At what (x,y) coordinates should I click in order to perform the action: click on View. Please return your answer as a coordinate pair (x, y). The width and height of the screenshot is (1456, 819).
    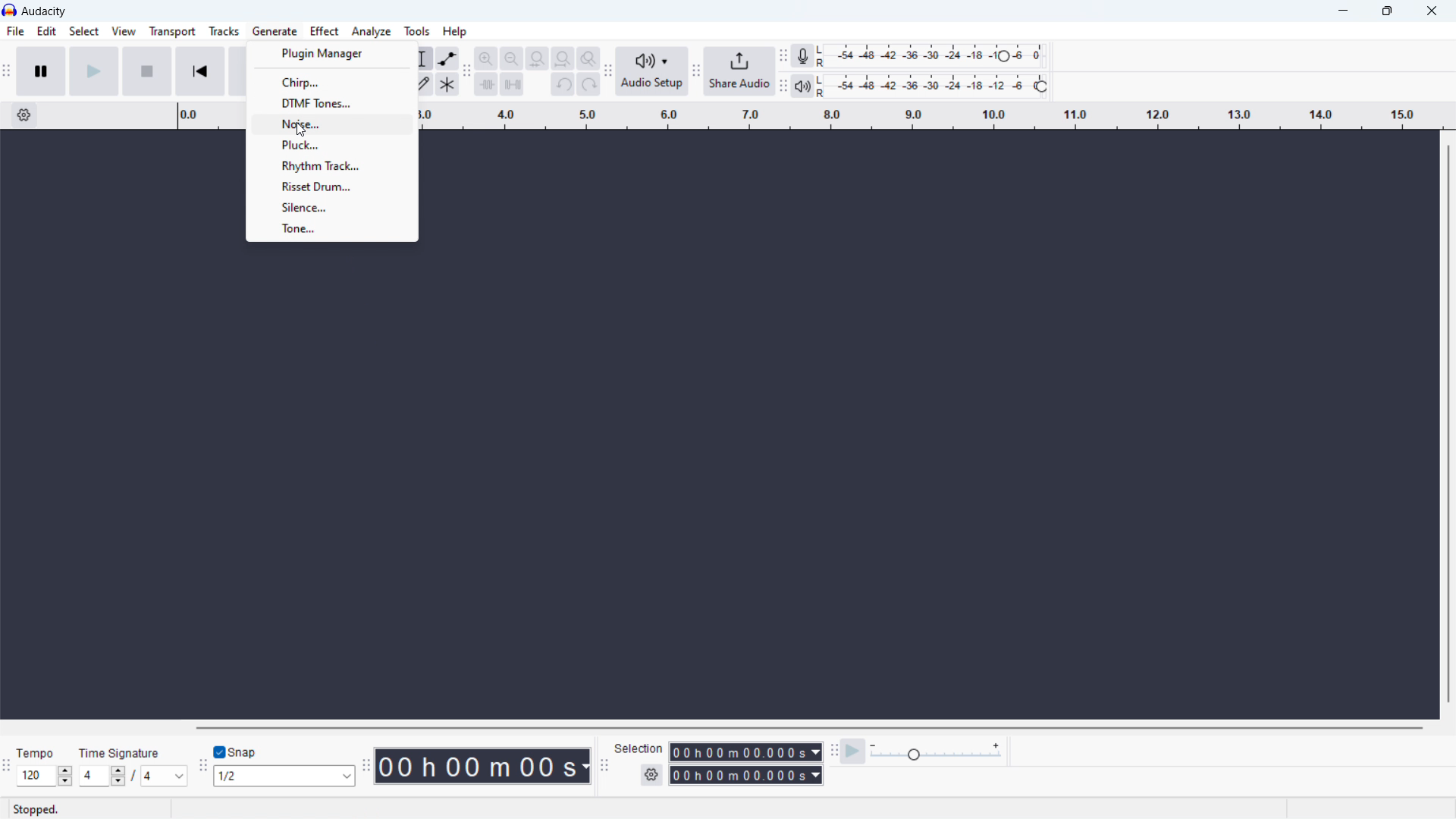
    Looking at the image, I should click on (124, 30).